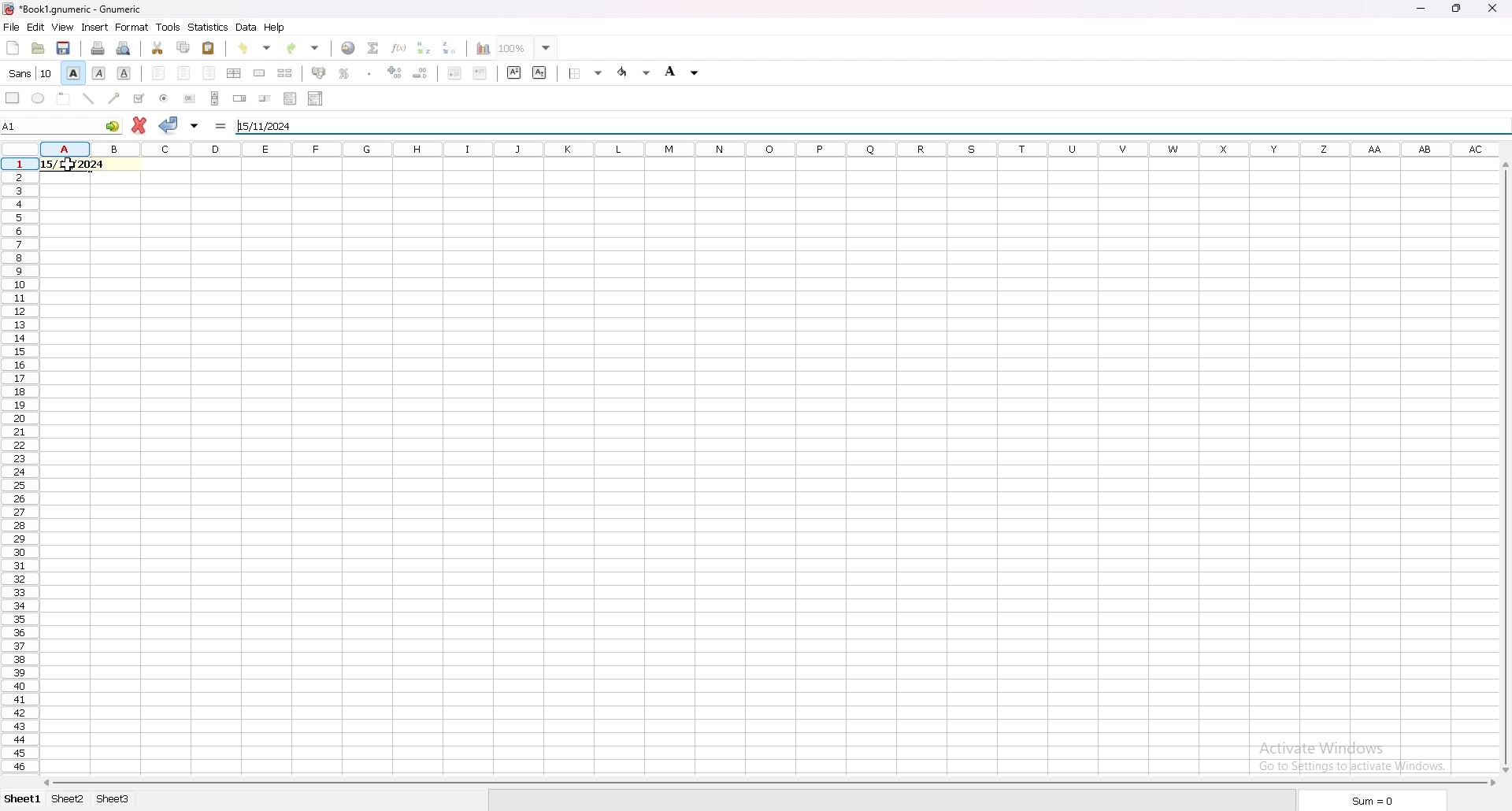  I want to click on sheet 1, so click(24, 799).